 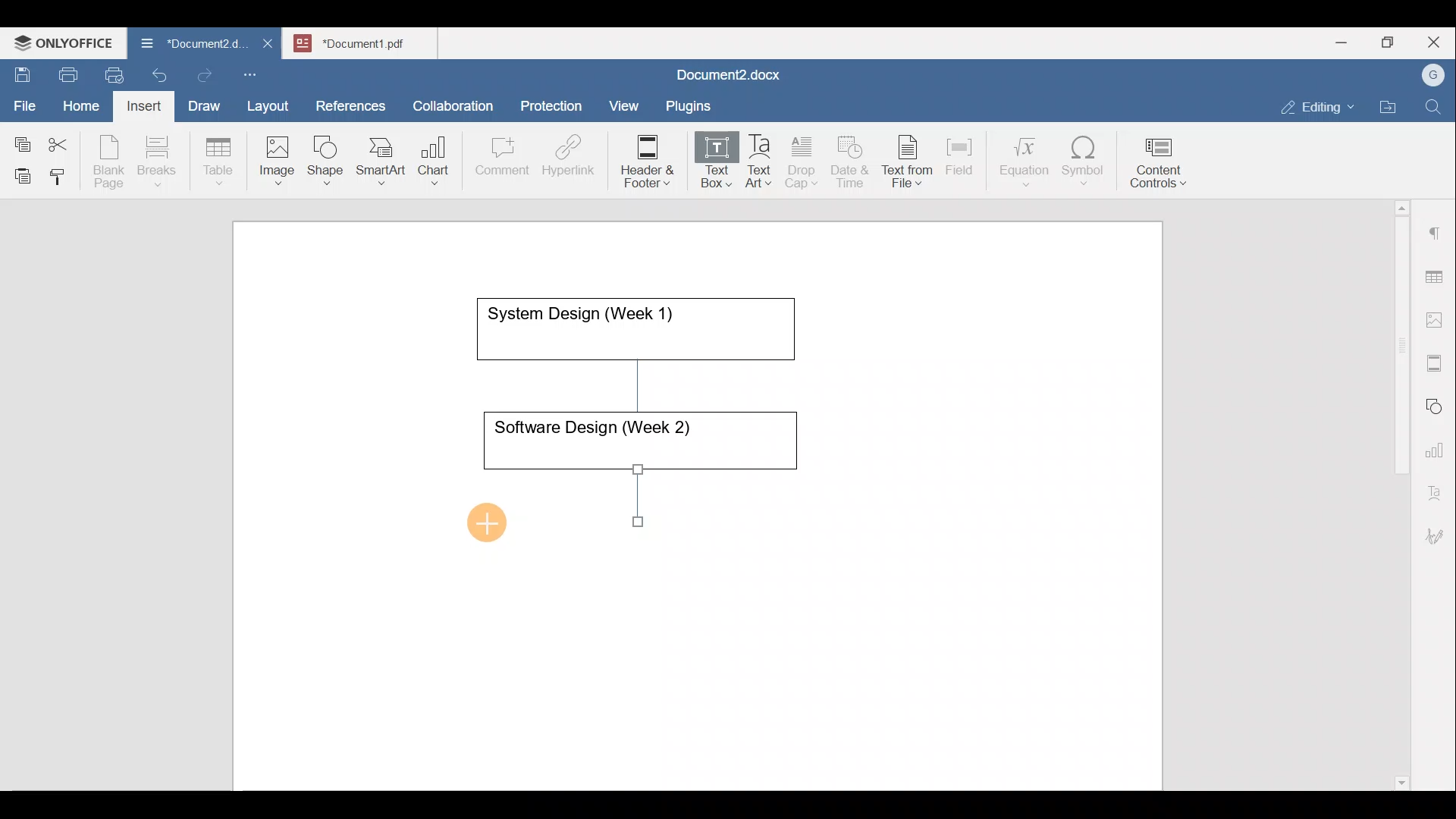 I want to click on Drop cap, so click(x=805, y=160).